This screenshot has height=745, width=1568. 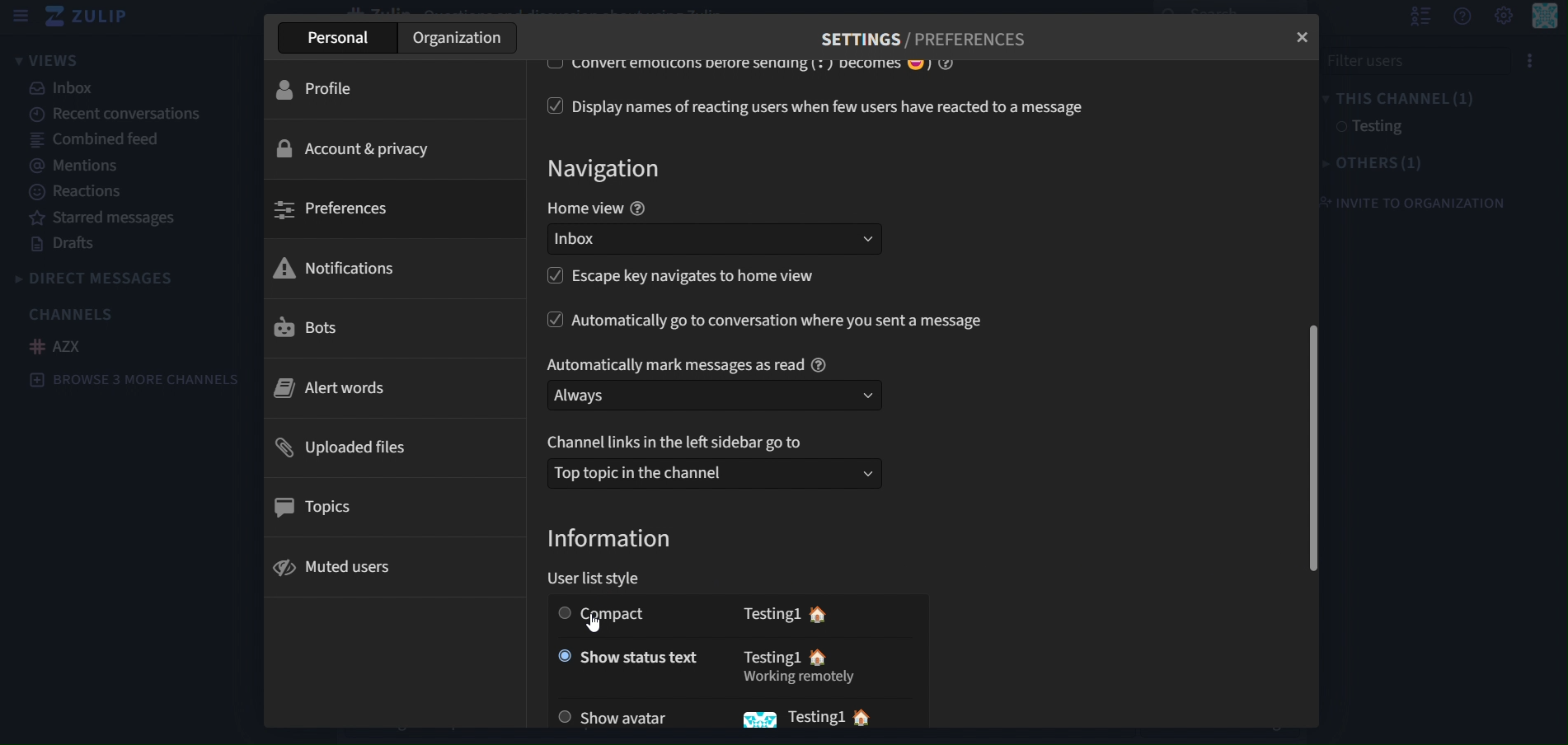 I want to click on compact , so click(x=630, y=616).